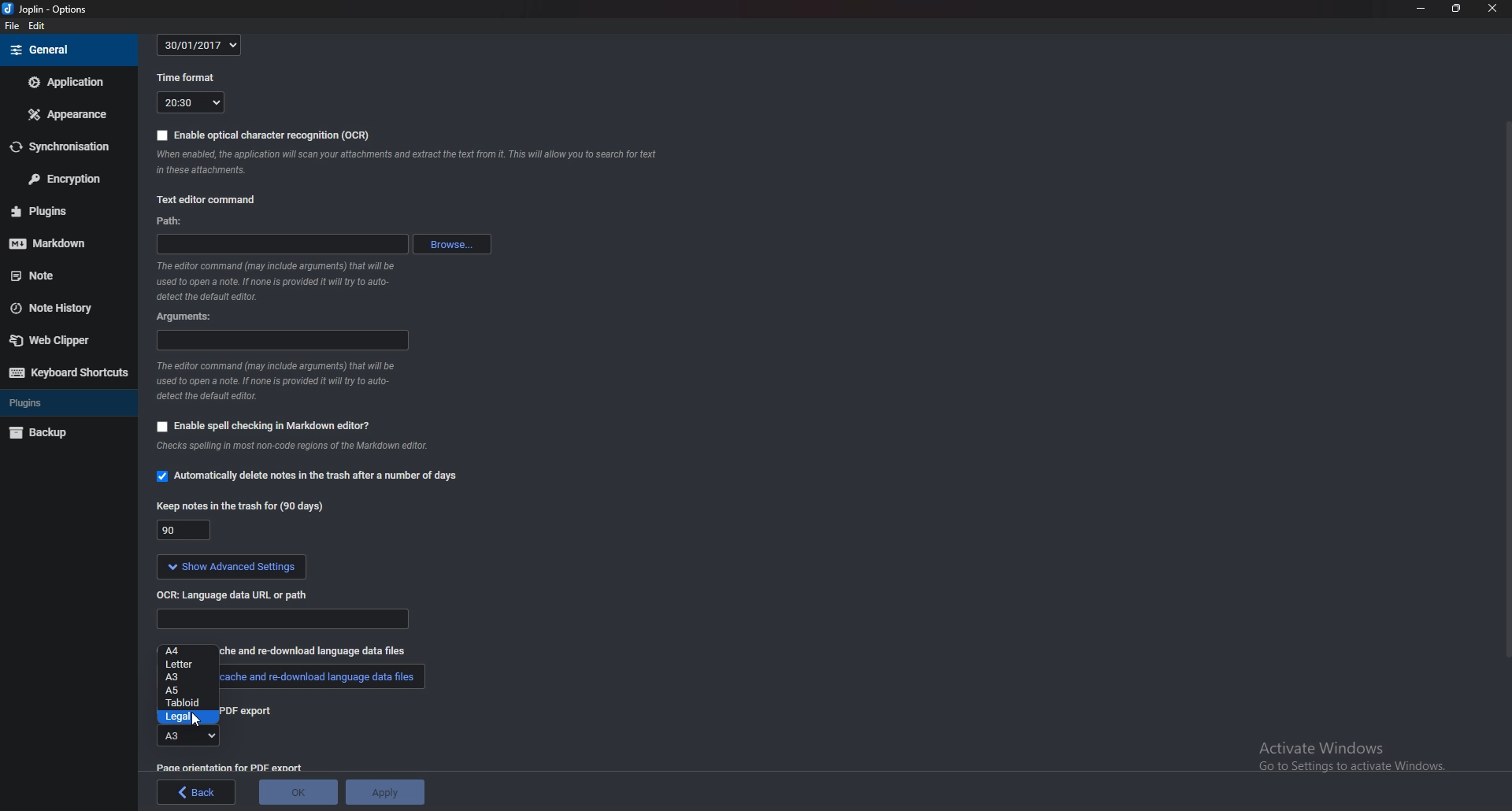  Describe the element at coordinates (328, 652) in the screenshot. I see `and re-download language data files` at that location.